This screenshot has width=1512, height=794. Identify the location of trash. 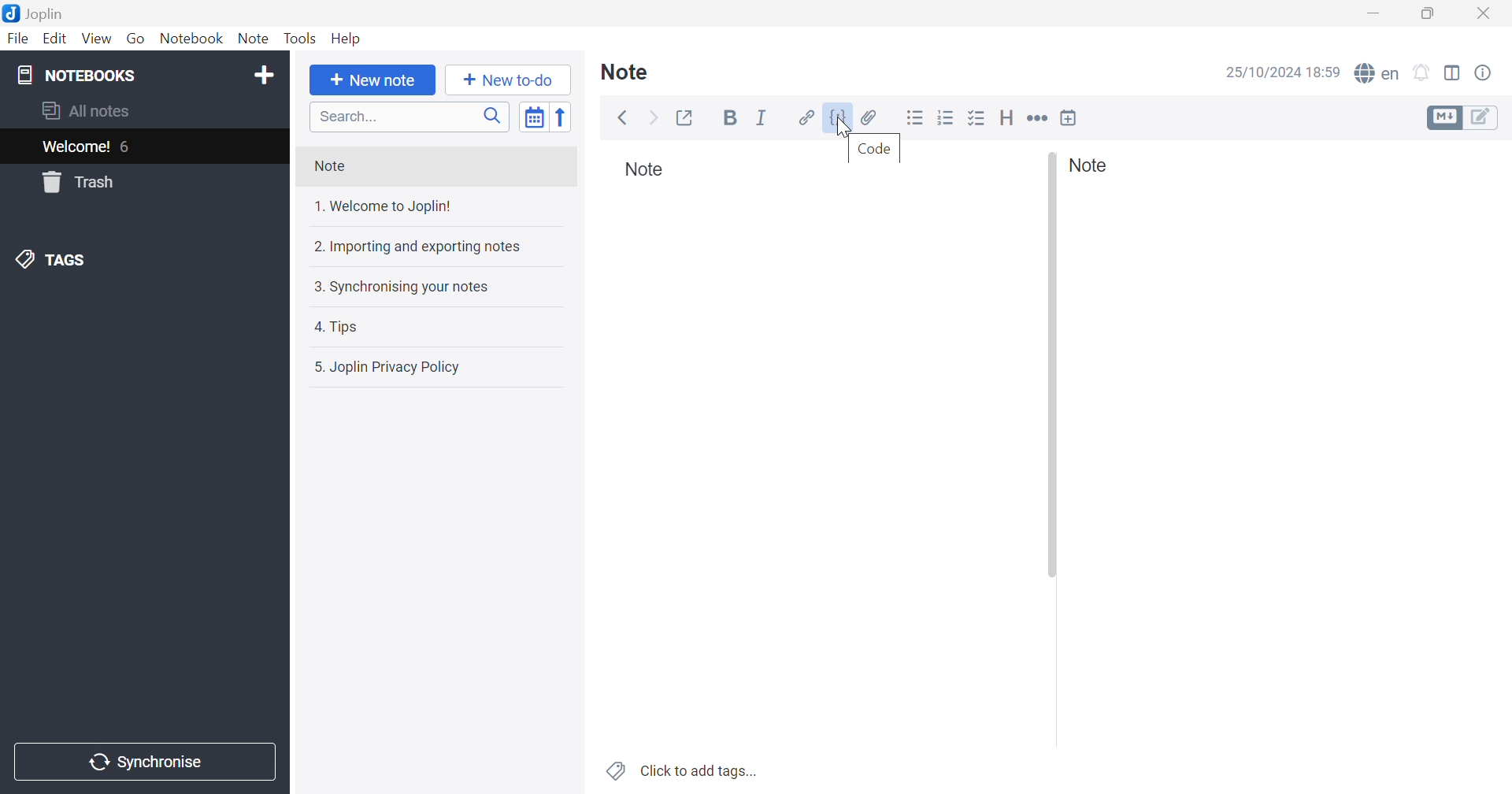
(78, 184).